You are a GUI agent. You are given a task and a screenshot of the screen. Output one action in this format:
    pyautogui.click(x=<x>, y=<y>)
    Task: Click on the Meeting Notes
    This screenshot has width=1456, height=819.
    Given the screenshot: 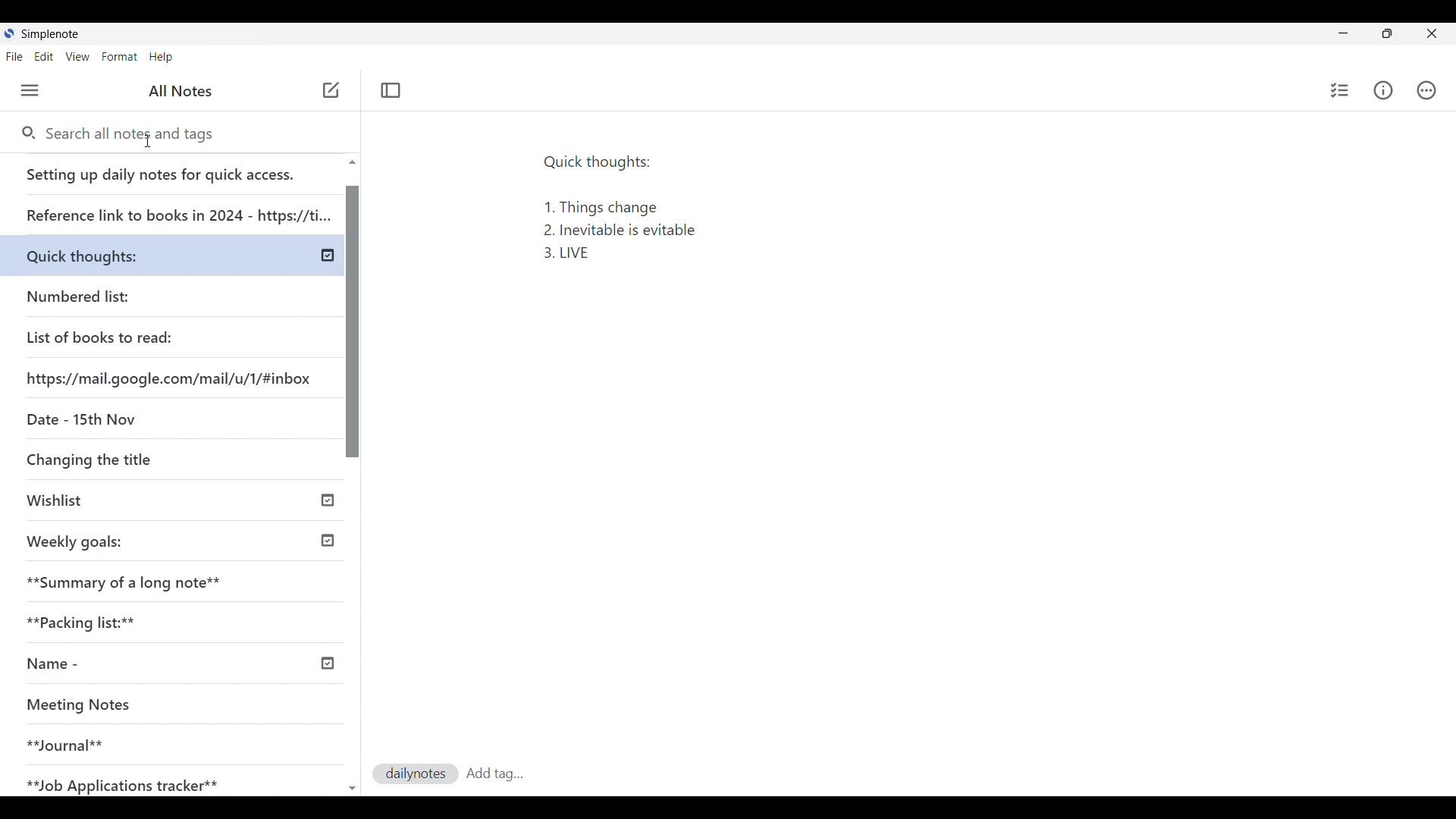 What is the action you would take?
    pyautogui.click(x=153, y=706)
    